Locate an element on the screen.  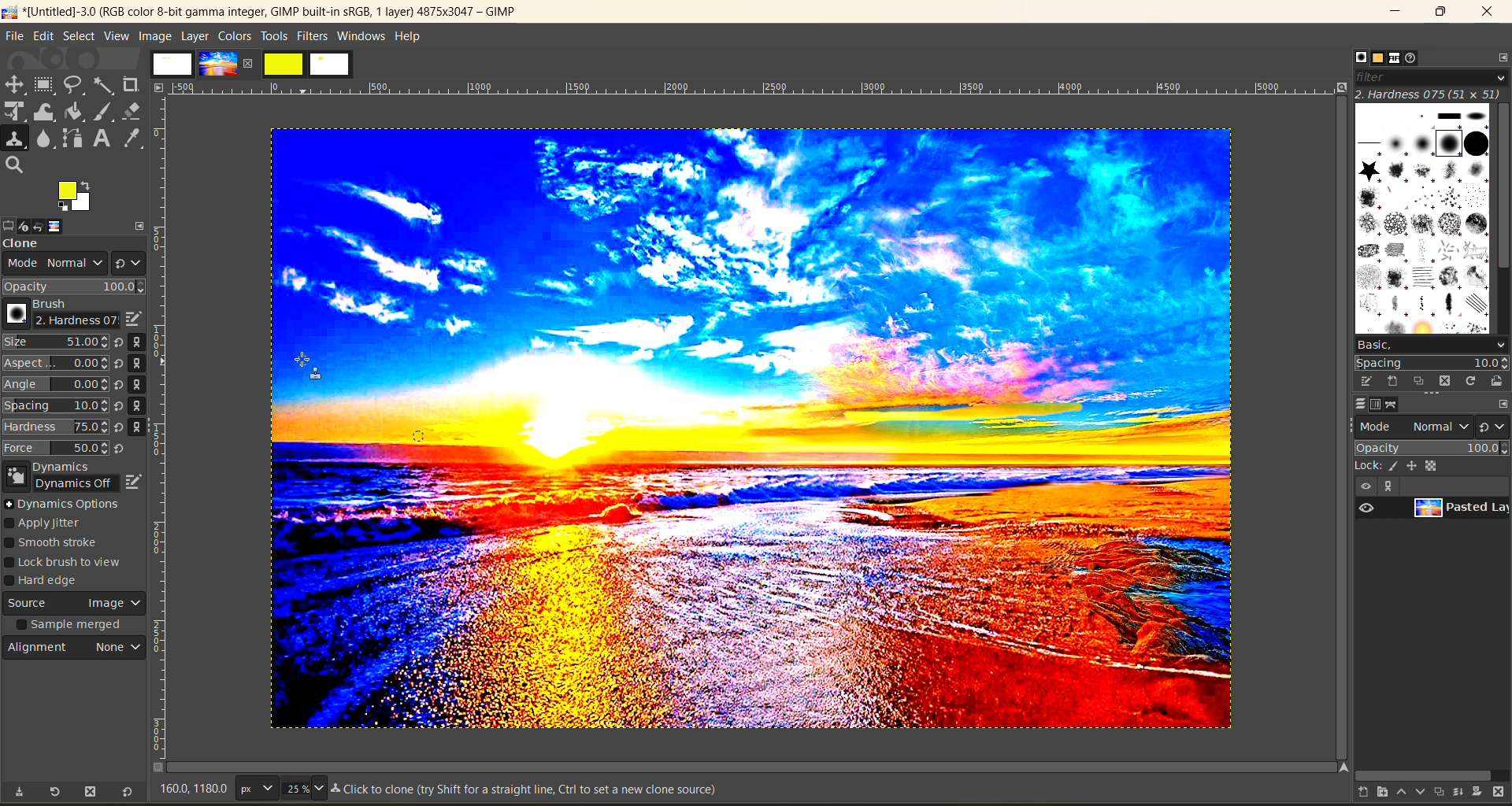
ruler is located at coordinates (758, 88).